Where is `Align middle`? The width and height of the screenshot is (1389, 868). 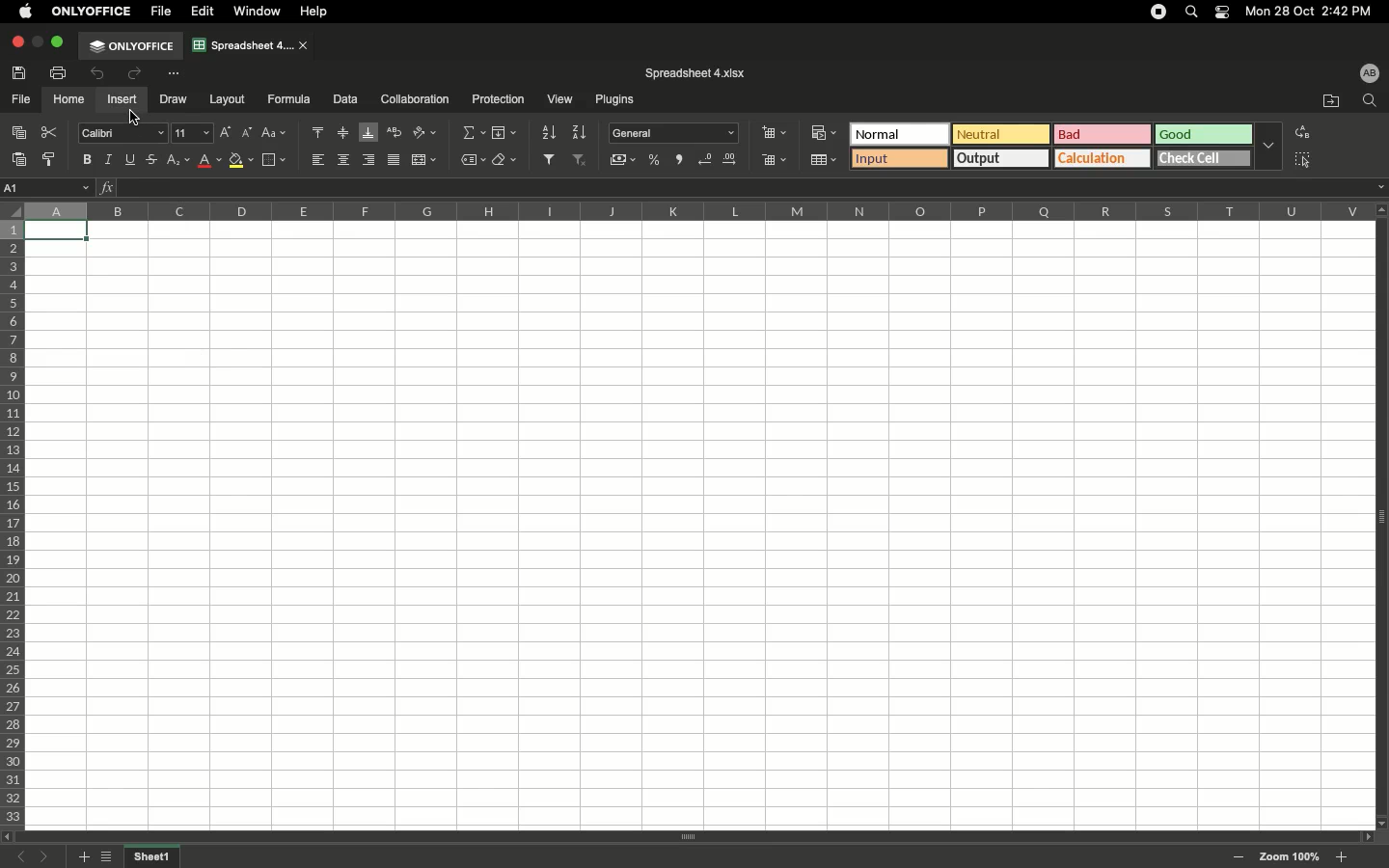 Align middle is located at coordinates (345, 133).